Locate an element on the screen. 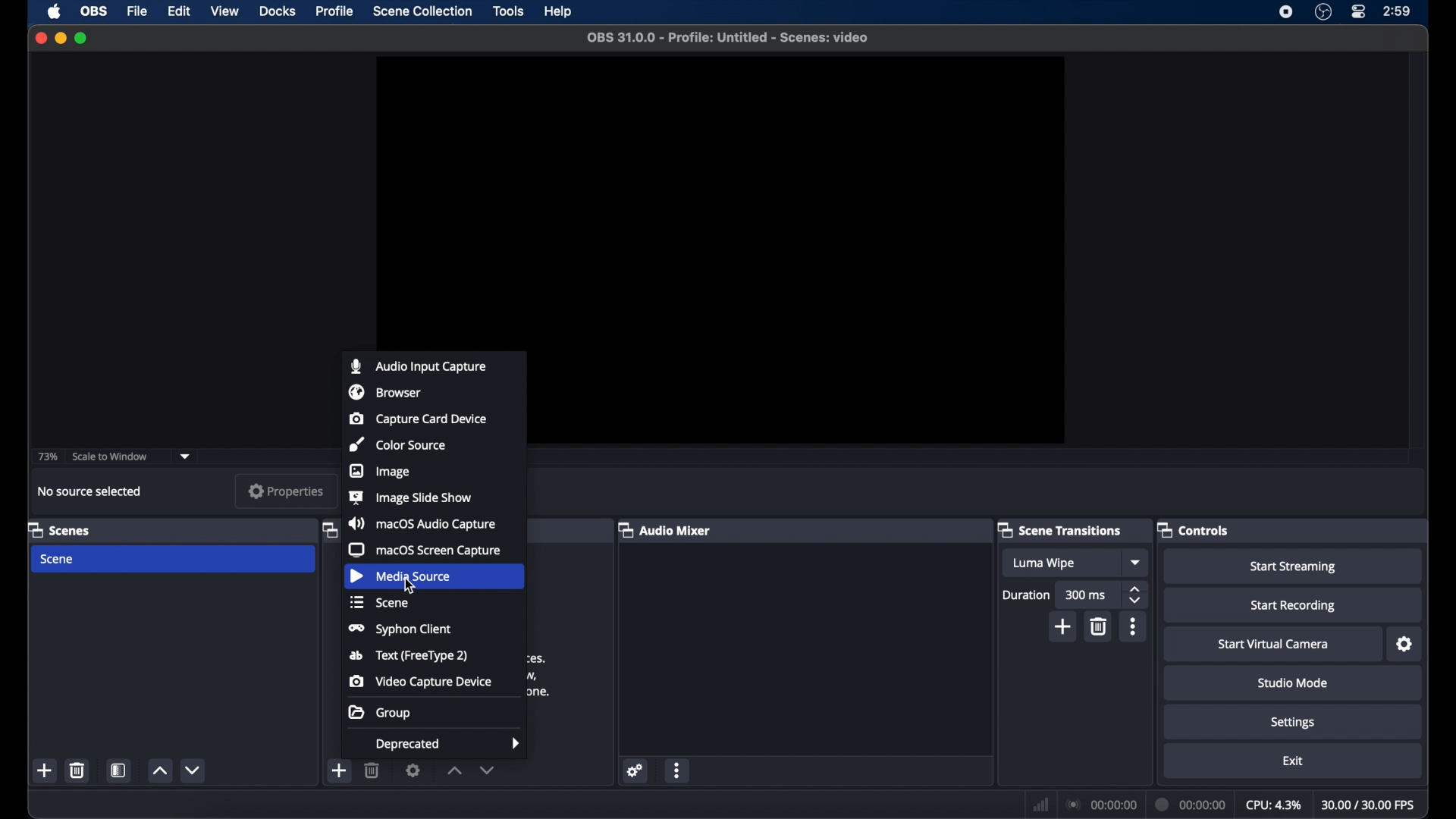 The image size is (1456, 819). decrement is located at coordinates (487, 771).